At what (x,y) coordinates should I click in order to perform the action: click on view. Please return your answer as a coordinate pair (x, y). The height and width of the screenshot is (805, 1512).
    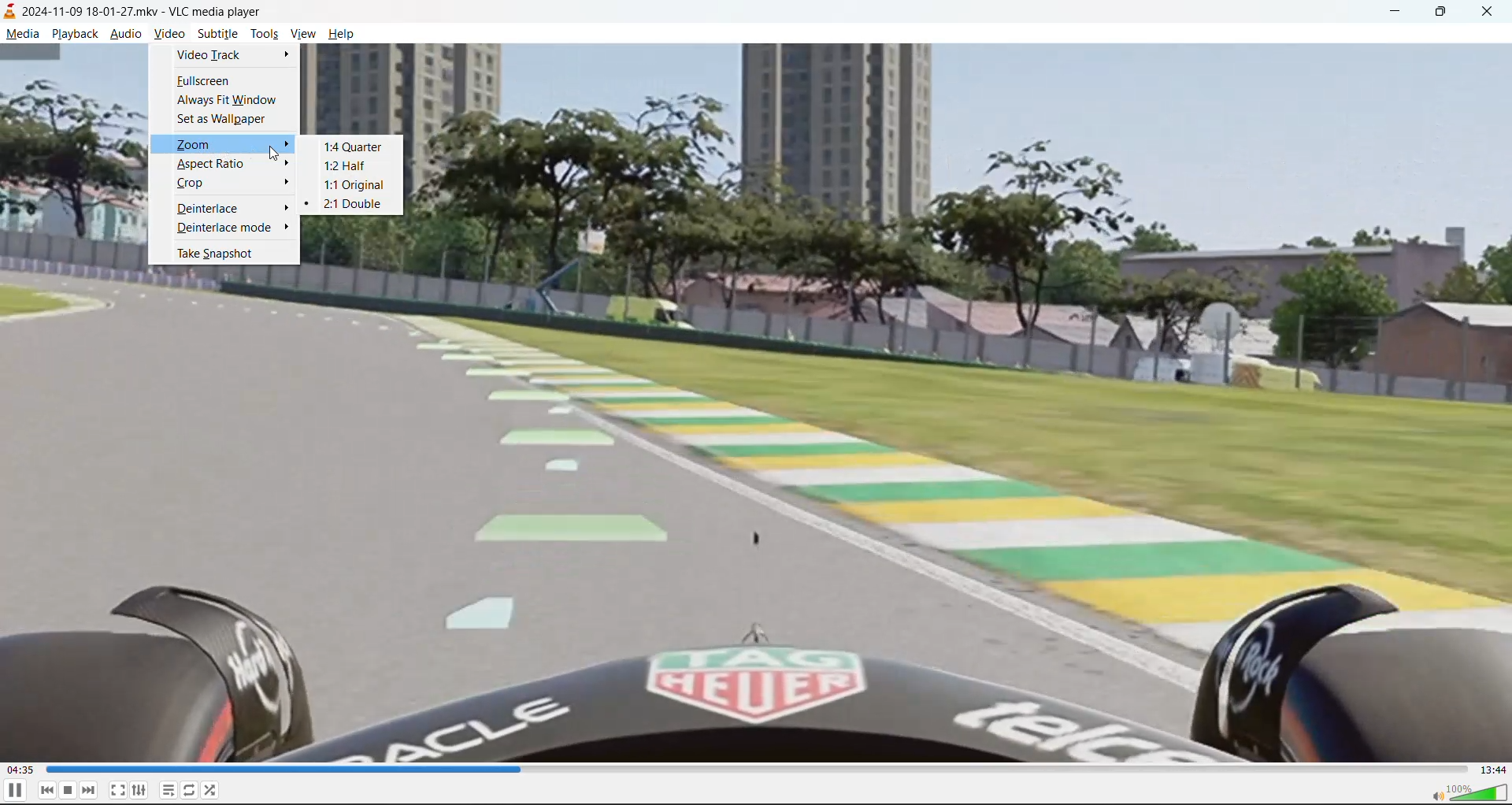
    Looking at the image, I should click on (300, 34).